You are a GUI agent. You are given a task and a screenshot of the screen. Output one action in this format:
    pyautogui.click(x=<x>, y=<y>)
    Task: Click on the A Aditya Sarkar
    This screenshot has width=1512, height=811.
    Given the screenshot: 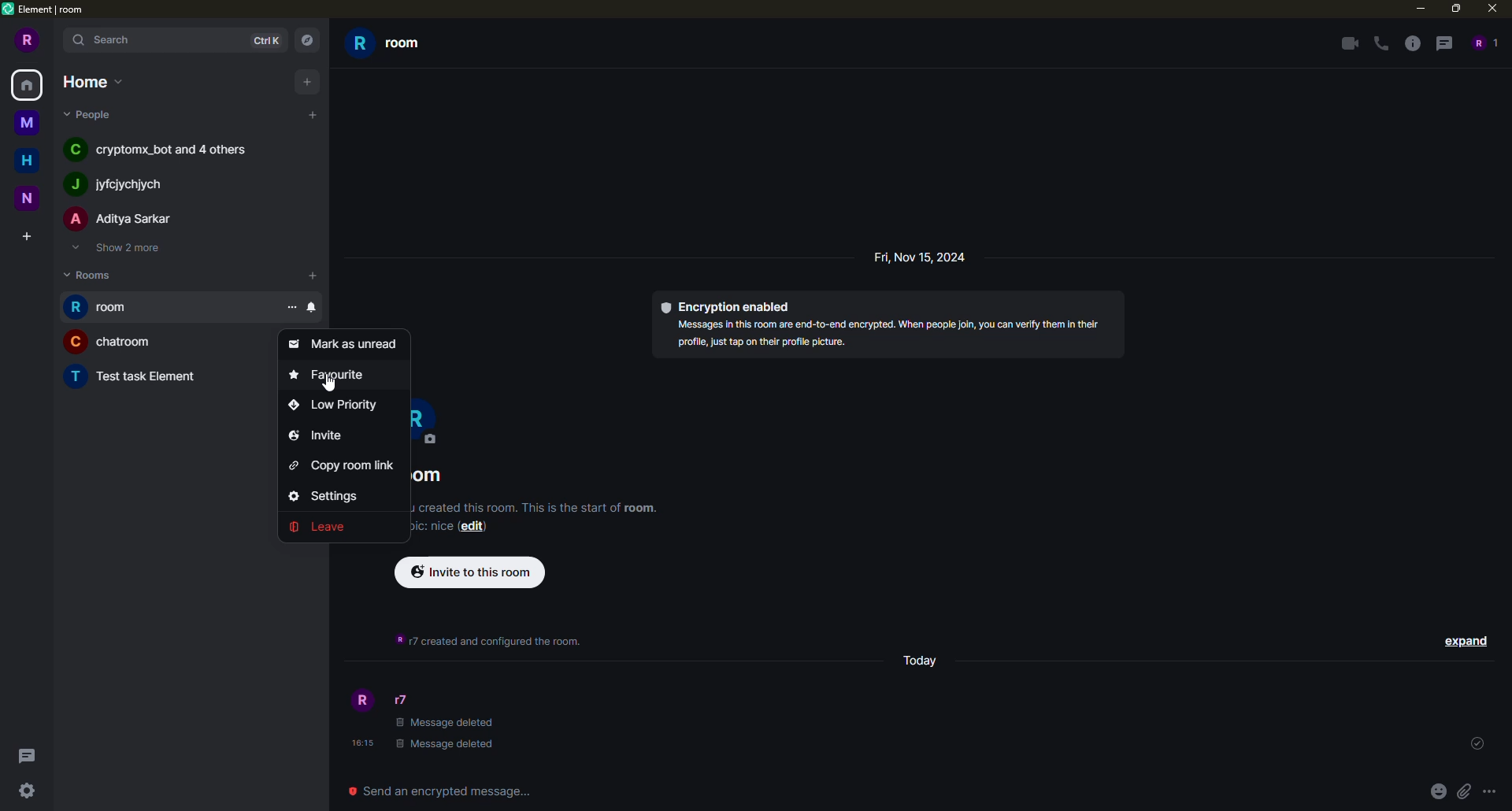 What is the action you would take?
    pyautogui.click(x=117, y=217)
    